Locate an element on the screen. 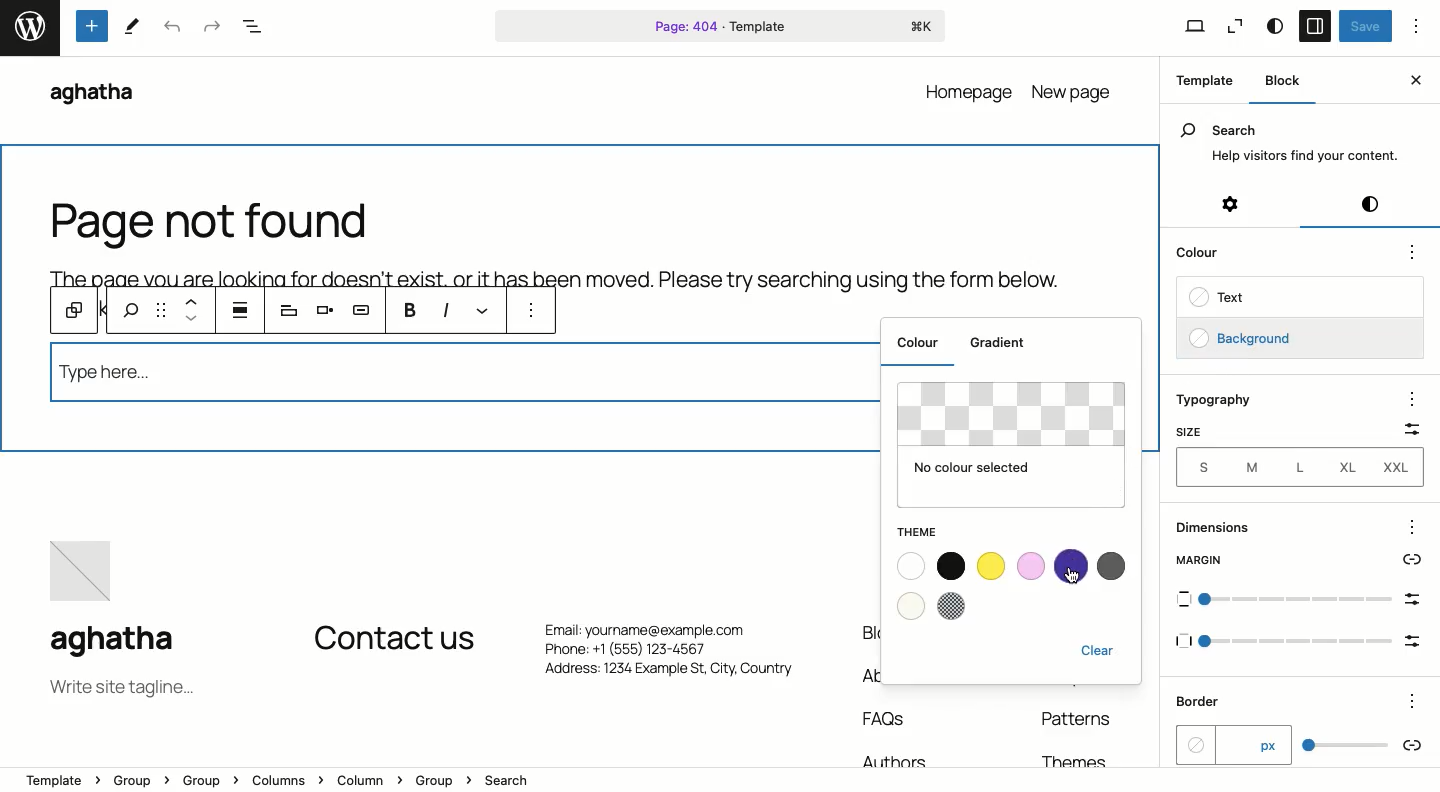 The image size is (1440, 792). Border is located at coordinates (1202, 702).